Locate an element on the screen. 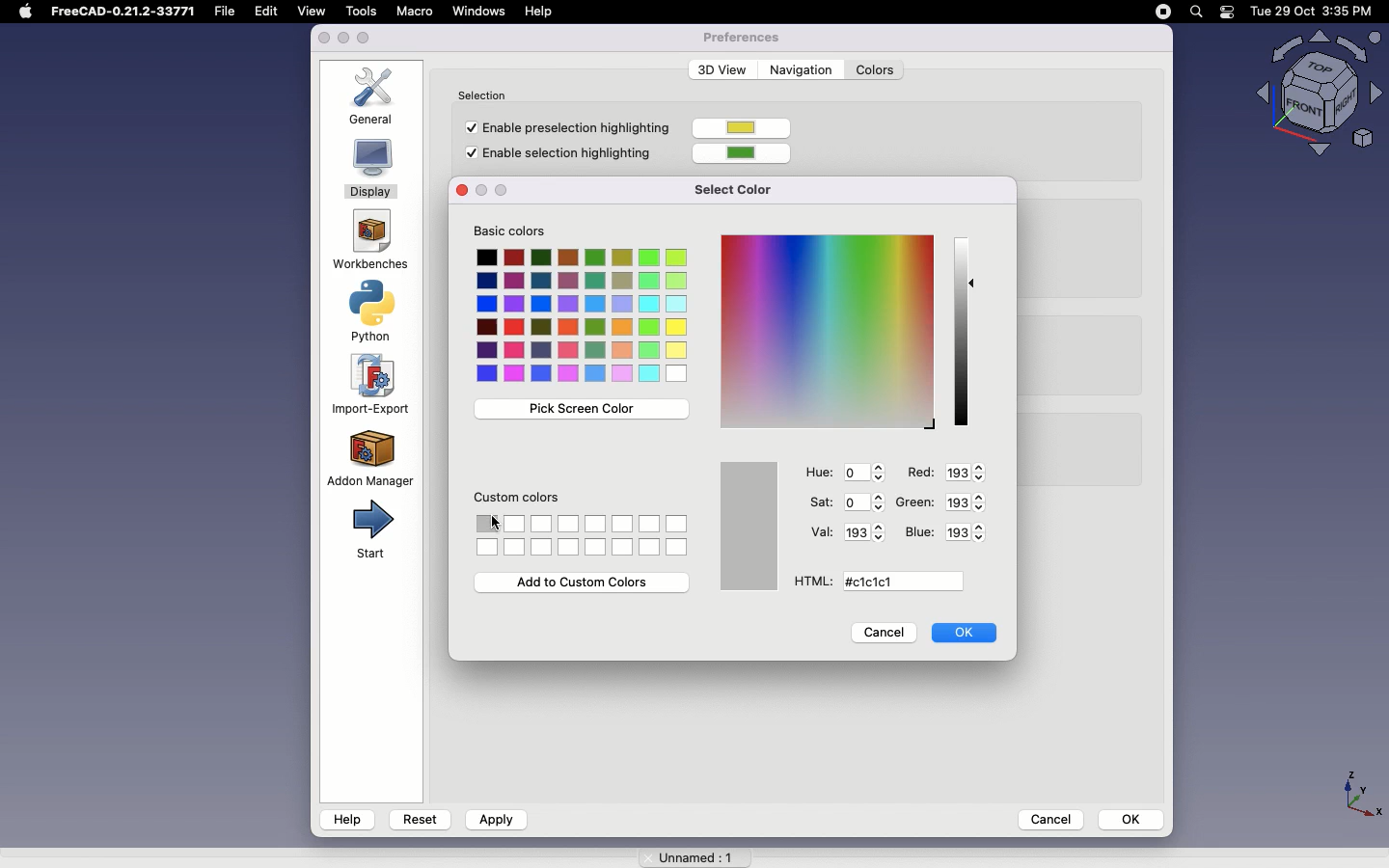  Import-Export is located at coordinates (374, 385).